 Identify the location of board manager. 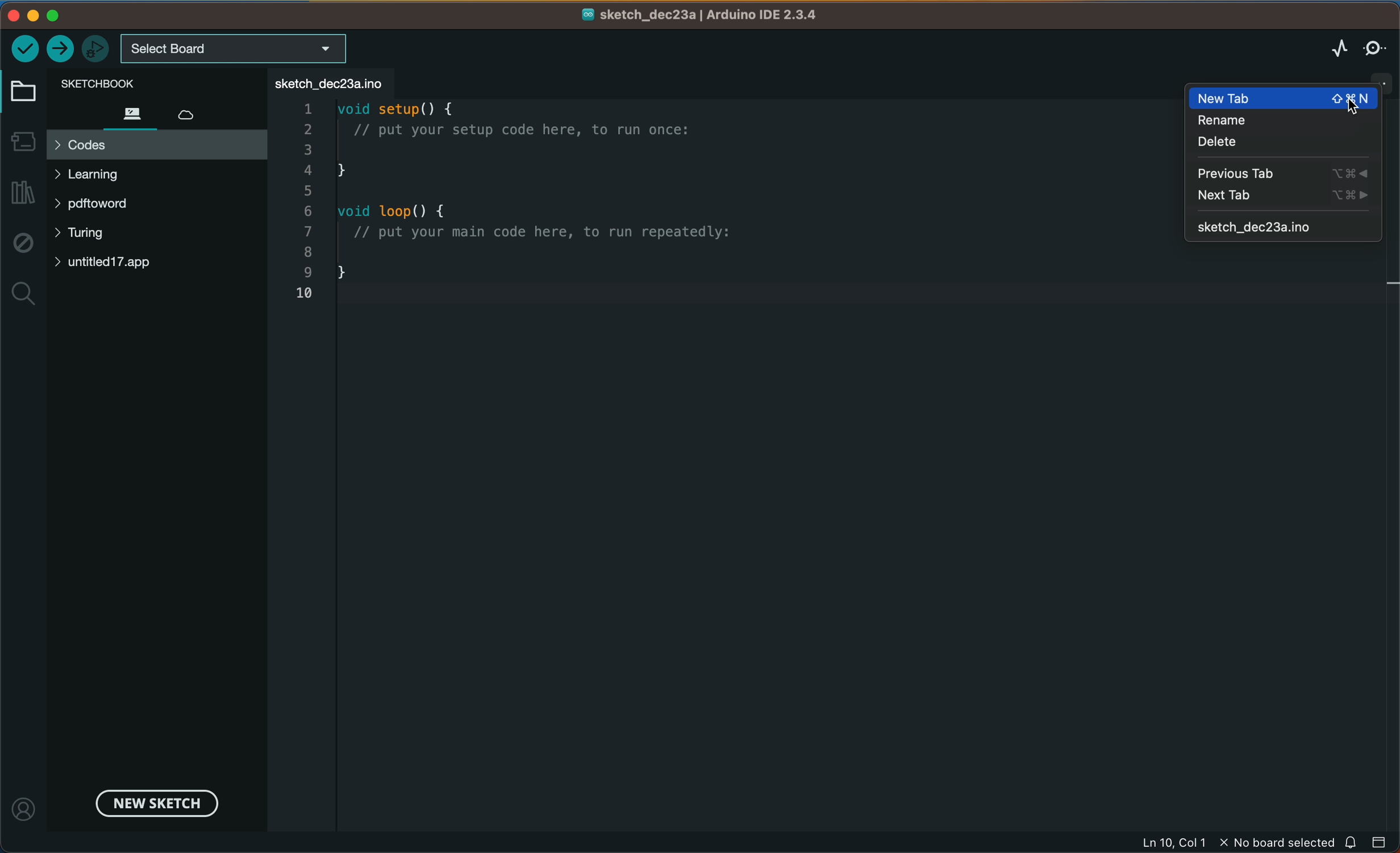
(23, 139).